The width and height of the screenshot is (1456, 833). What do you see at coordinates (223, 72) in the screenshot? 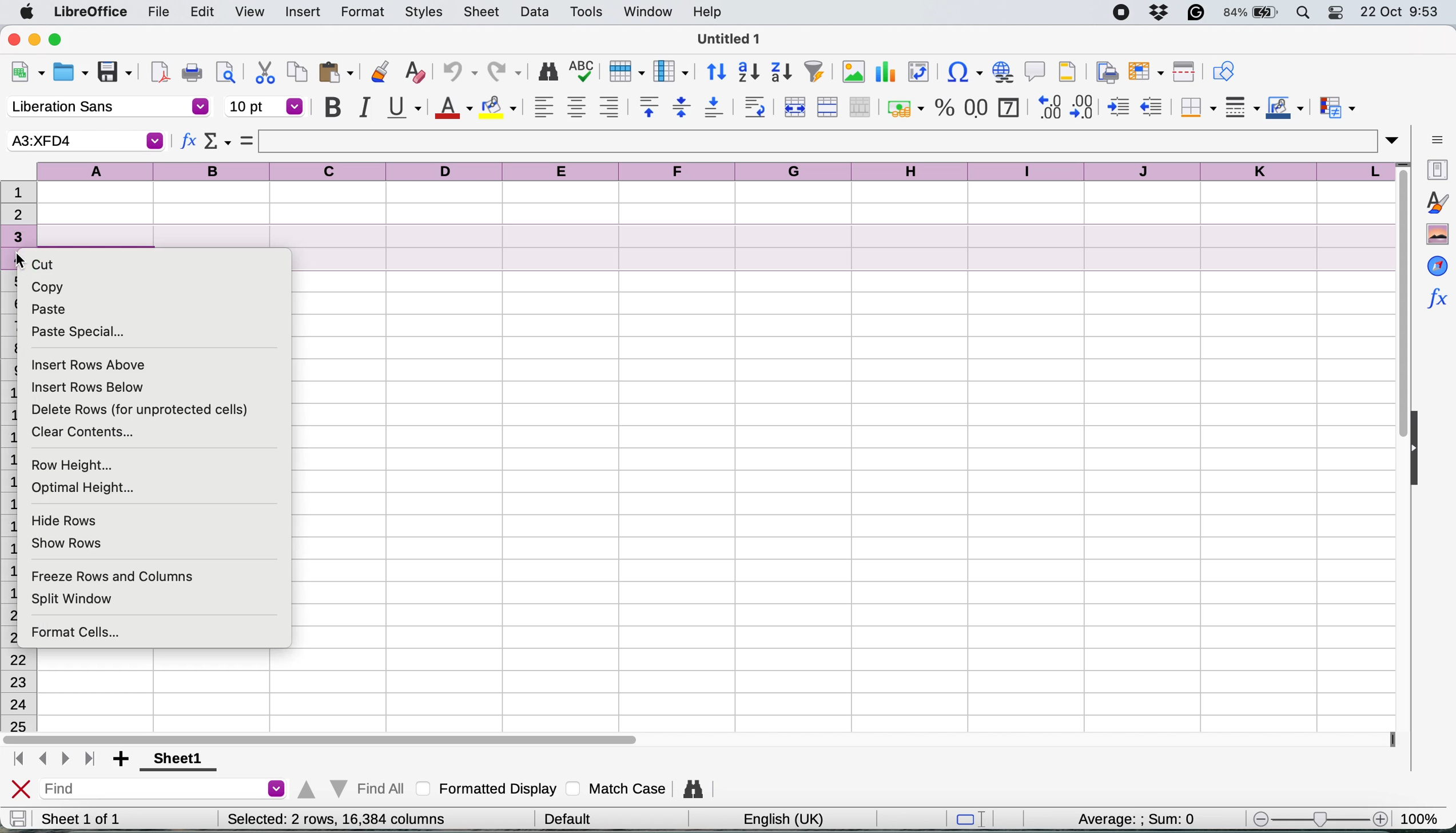
I see `print preview` at bounding box center [223, 72].